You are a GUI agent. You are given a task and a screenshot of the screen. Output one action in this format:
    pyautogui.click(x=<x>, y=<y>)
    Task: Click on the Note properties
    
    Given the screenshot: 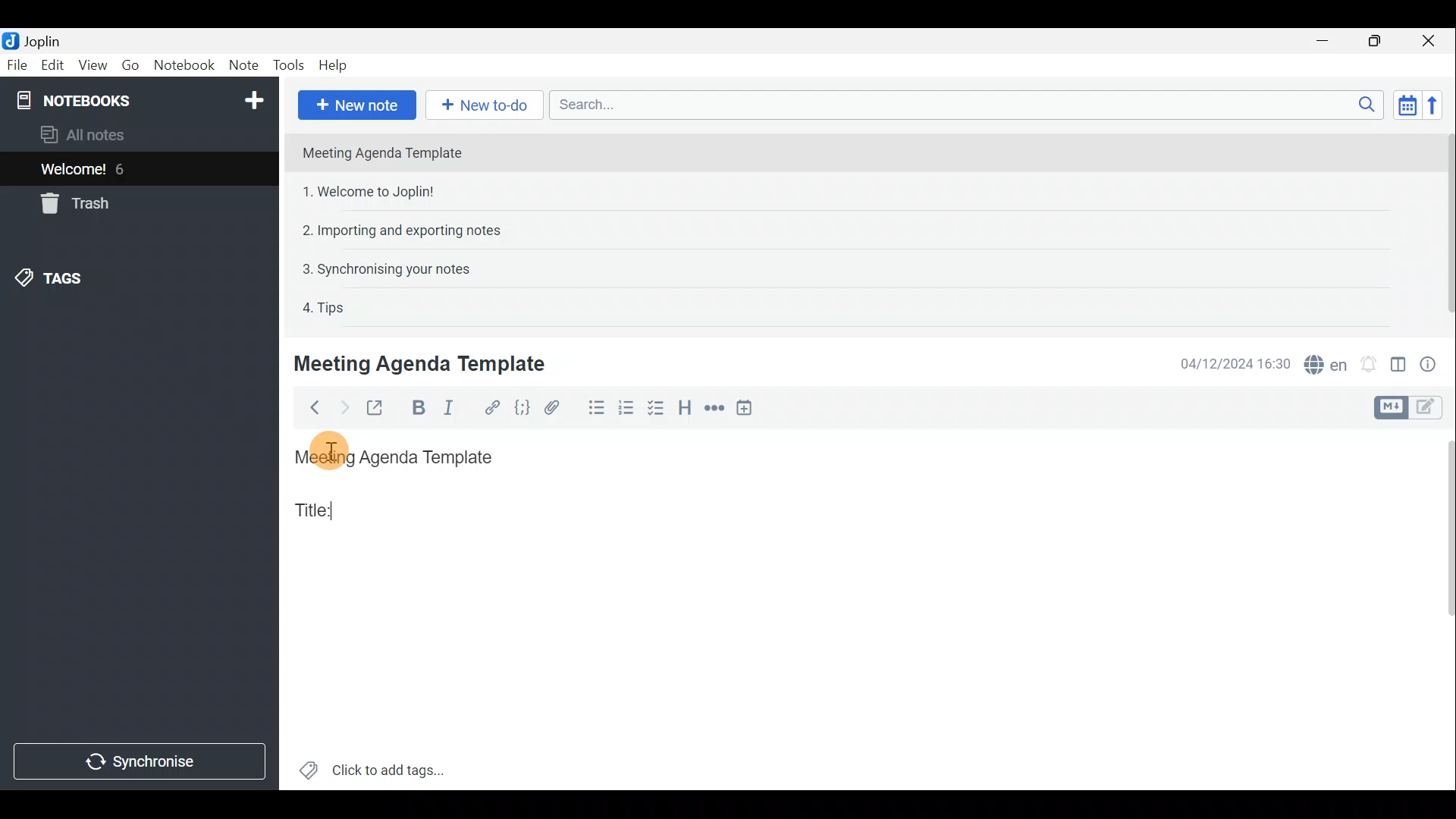 What is the action you would take?
    pyautogui.click(x=1433, y=363)
    